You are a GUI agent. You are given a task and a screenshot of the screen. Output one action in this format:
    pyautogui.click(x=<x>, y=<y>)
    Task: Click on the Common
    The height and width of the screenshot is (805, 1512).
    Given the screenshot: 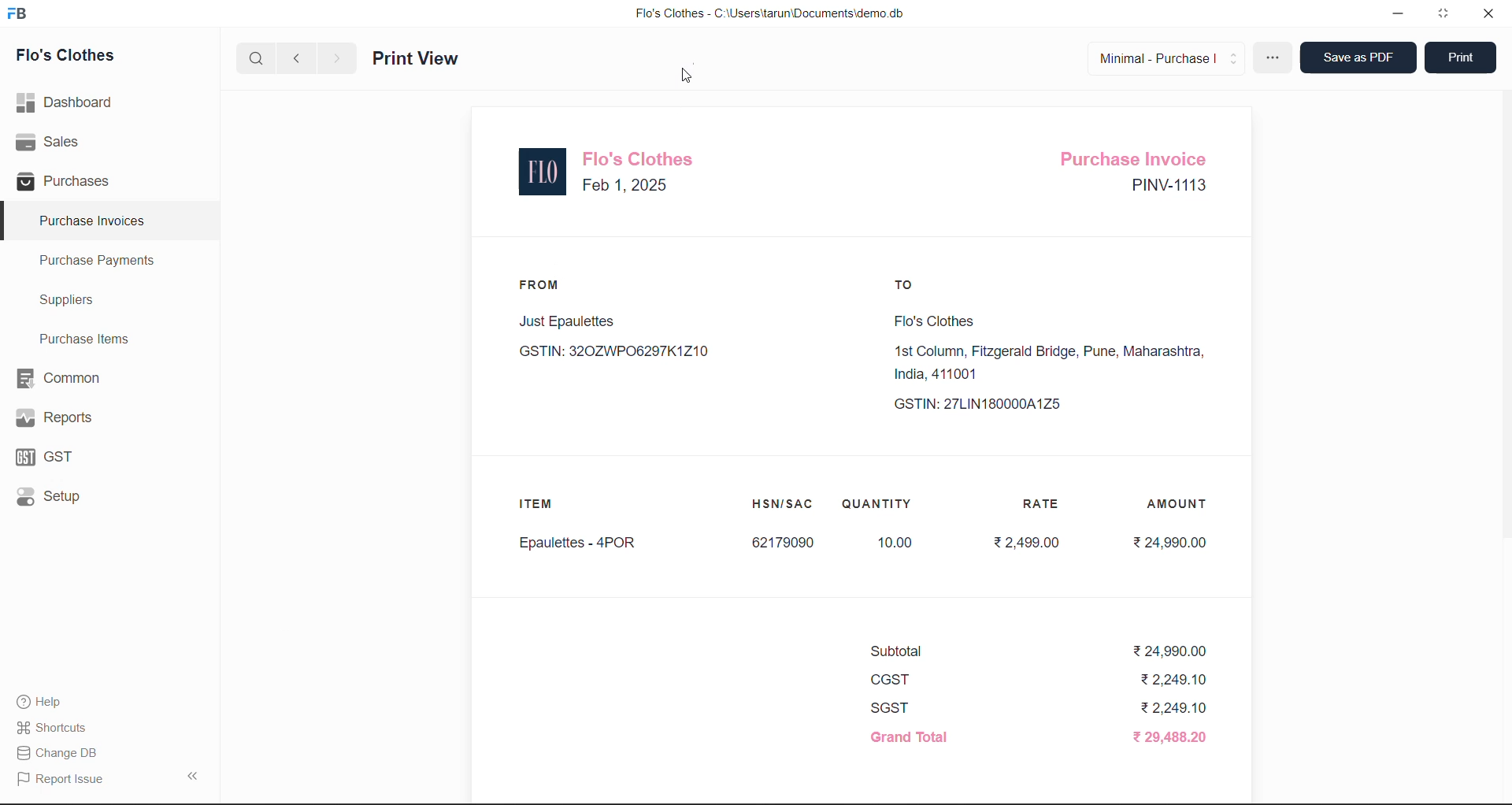 What is the action you would take?
    pyautogui.click(x=72, y=377)
    